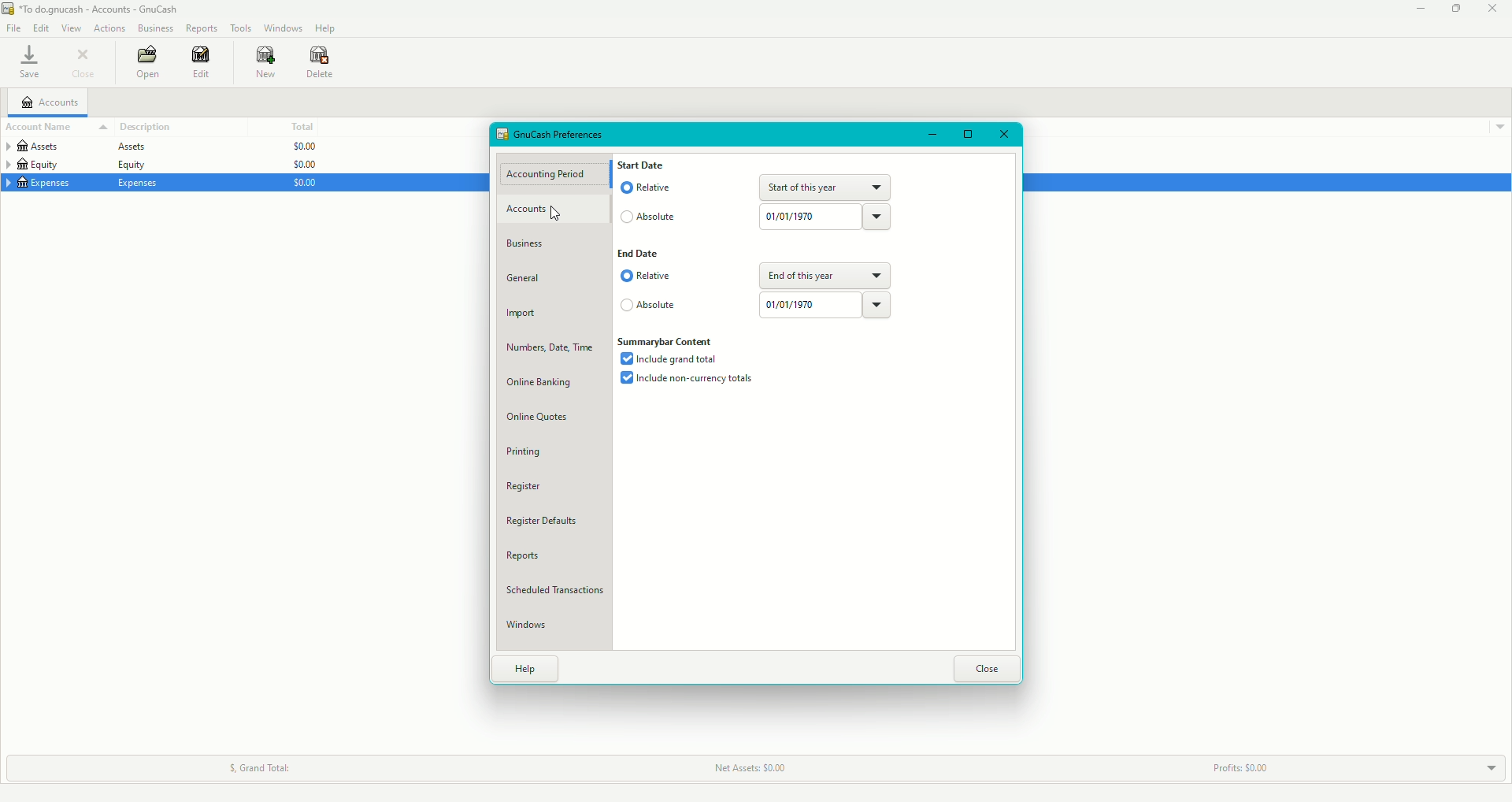 The height and width of the screenshot is (802, 1512). What do you see at coordinates (300, 165) in the screenshot?
I see `$0` at bounding box center [300, 165].